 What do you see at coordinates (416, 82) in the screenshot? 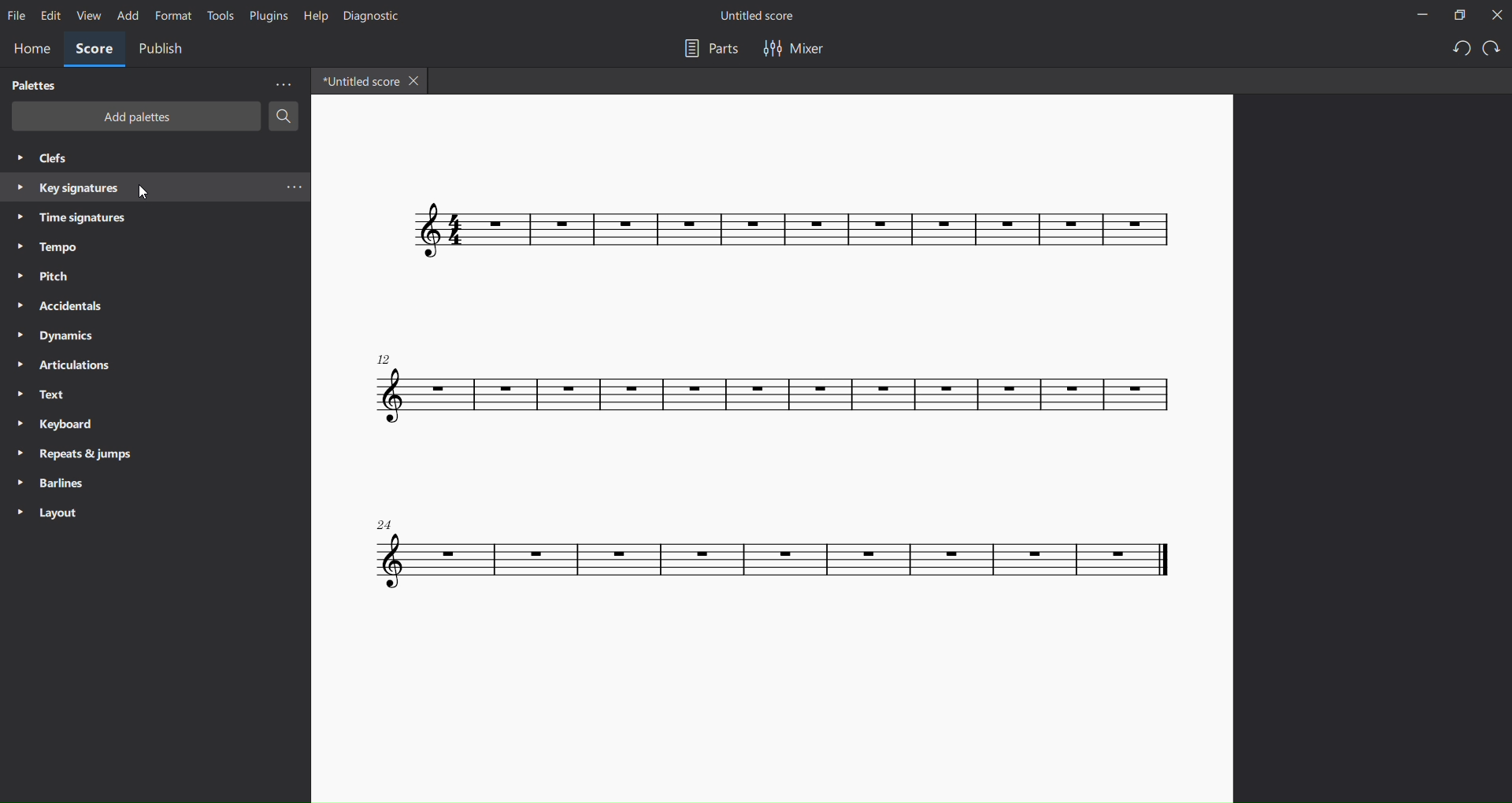
I see `close tab` at bounding box center [416, 82].